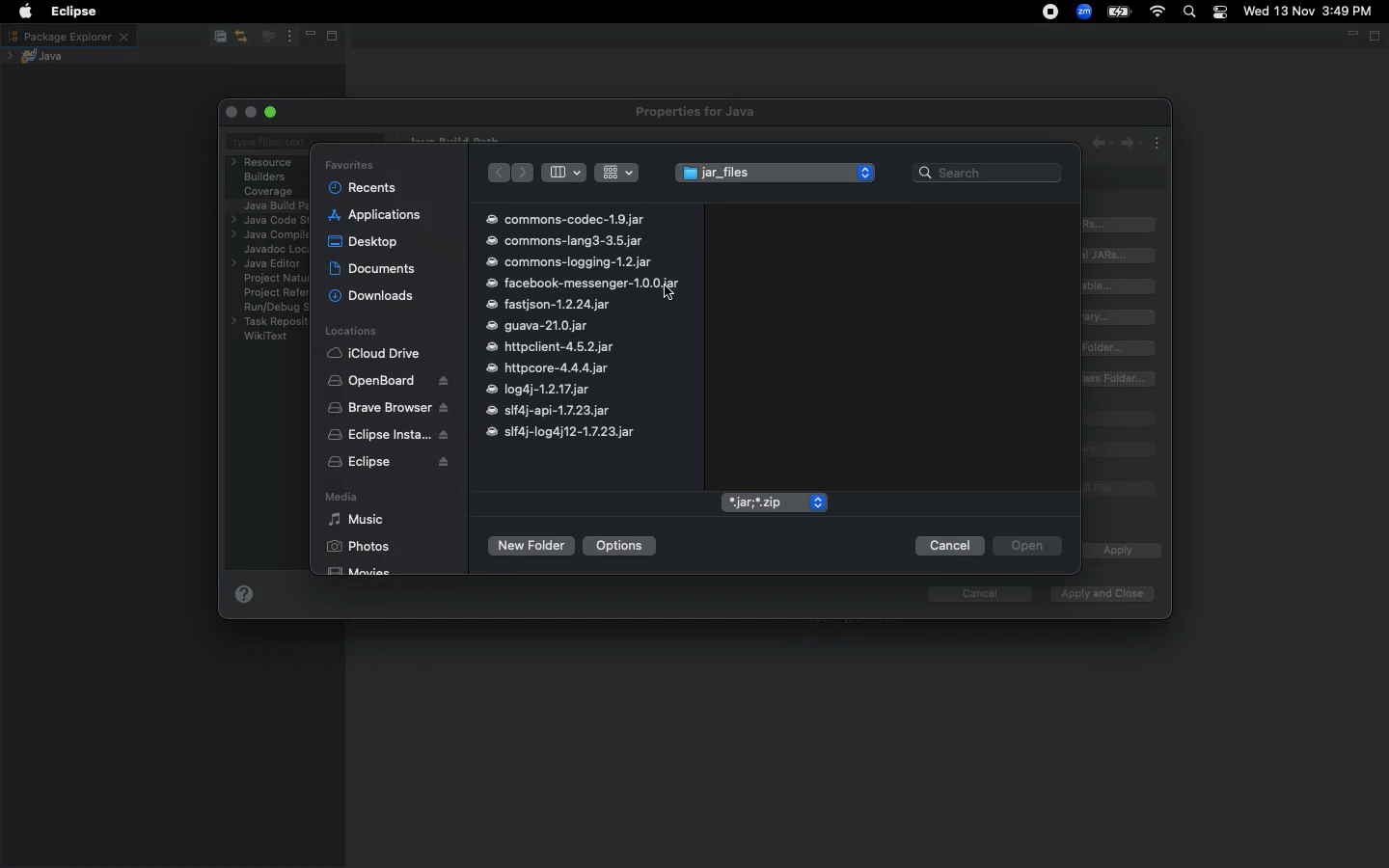  I want to click on OpenBoard, so click(390, 381).